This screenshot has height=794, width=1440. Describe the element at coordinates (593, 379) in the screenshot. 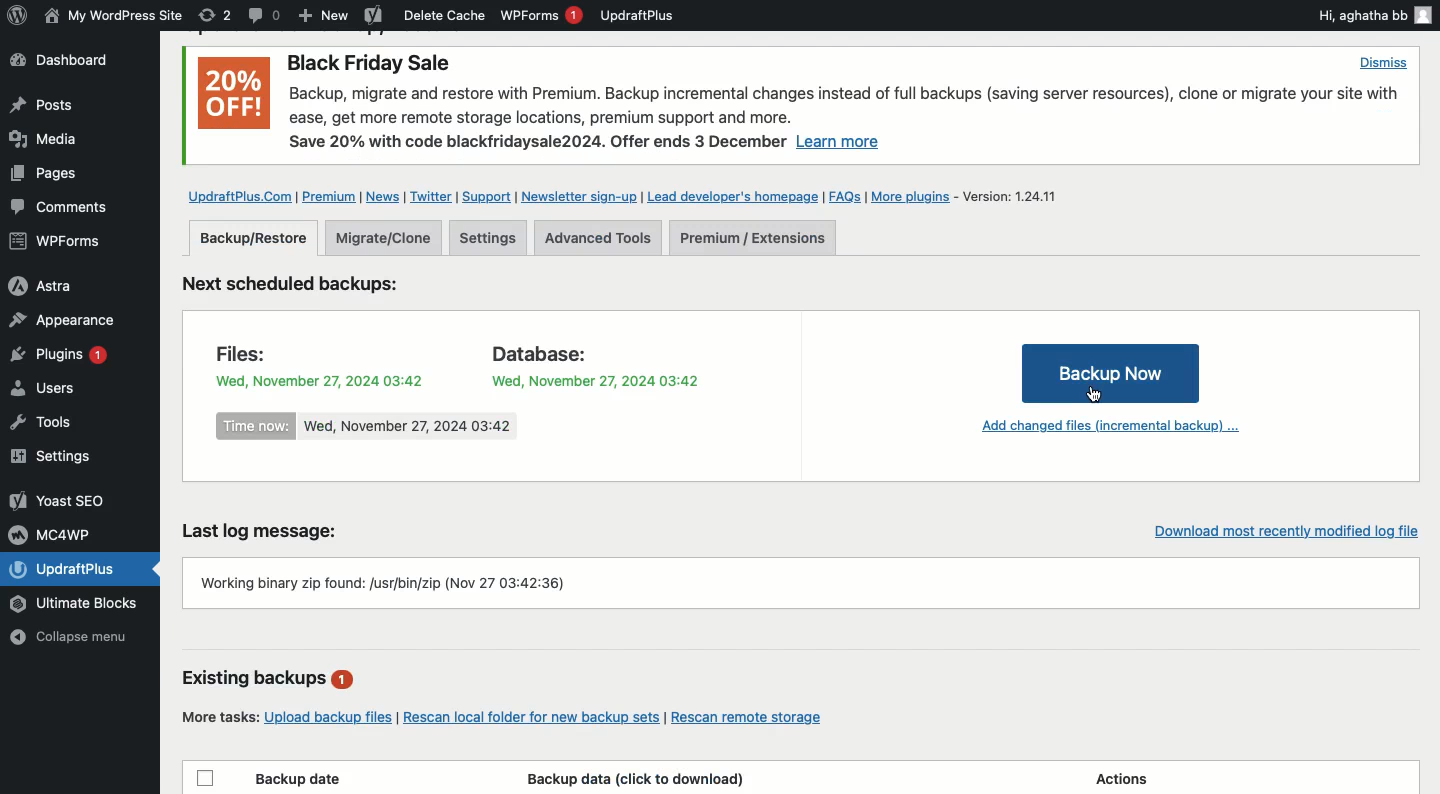

I see `Wed, November 27, 2024 03:42` at that location.